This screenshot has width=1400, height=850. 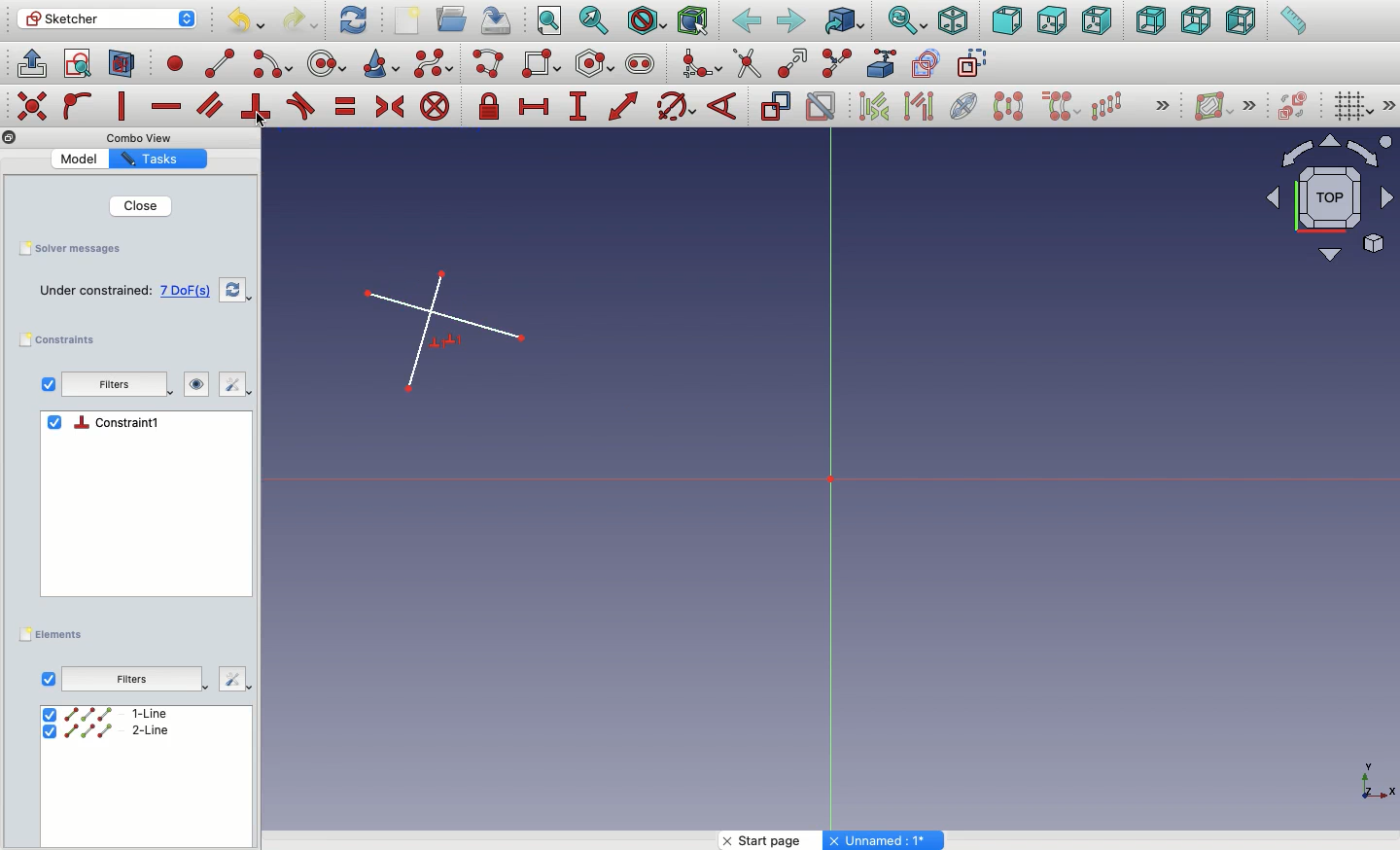 What do you see at coordinates (879, 62) in the screenshot?
I see `External geometry` at bounding box center [879, 62].